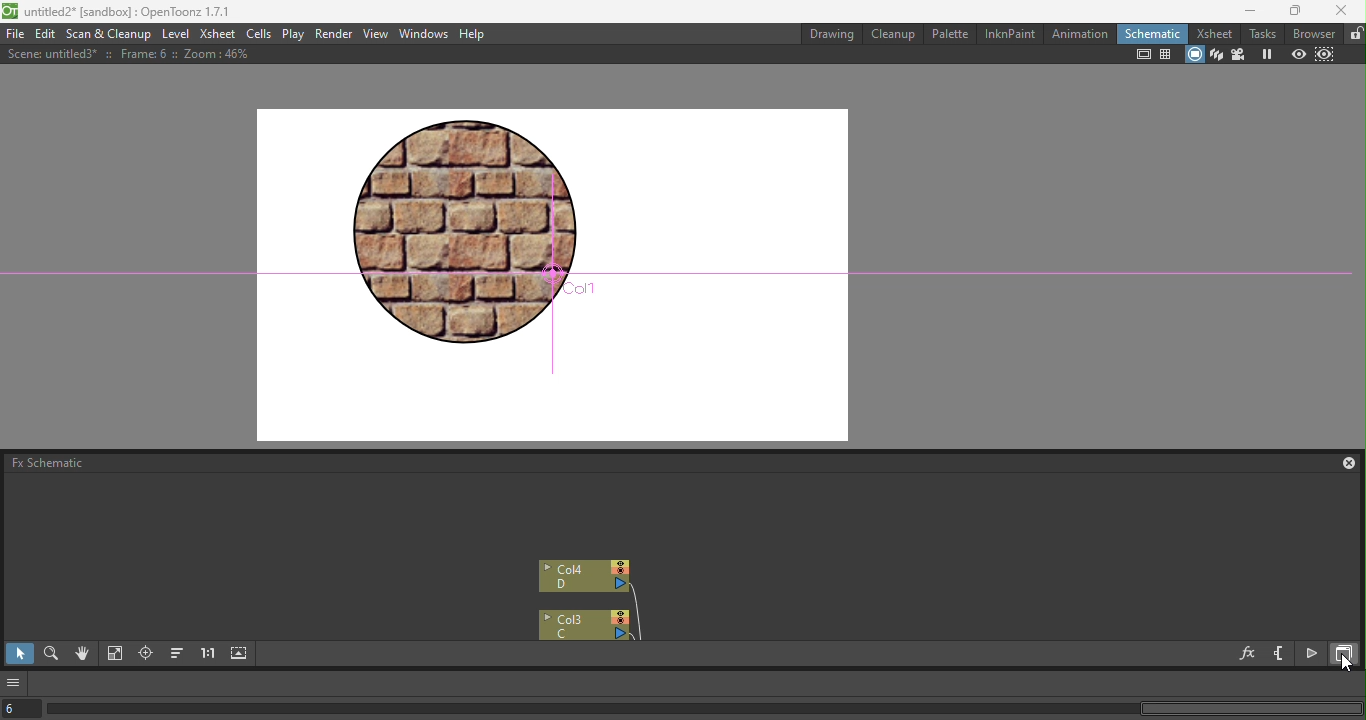 This screenshot has width=1366, height=720. Describe the element at coordinates (556, 271) in the screenshot. I see `Canvas` at that location.